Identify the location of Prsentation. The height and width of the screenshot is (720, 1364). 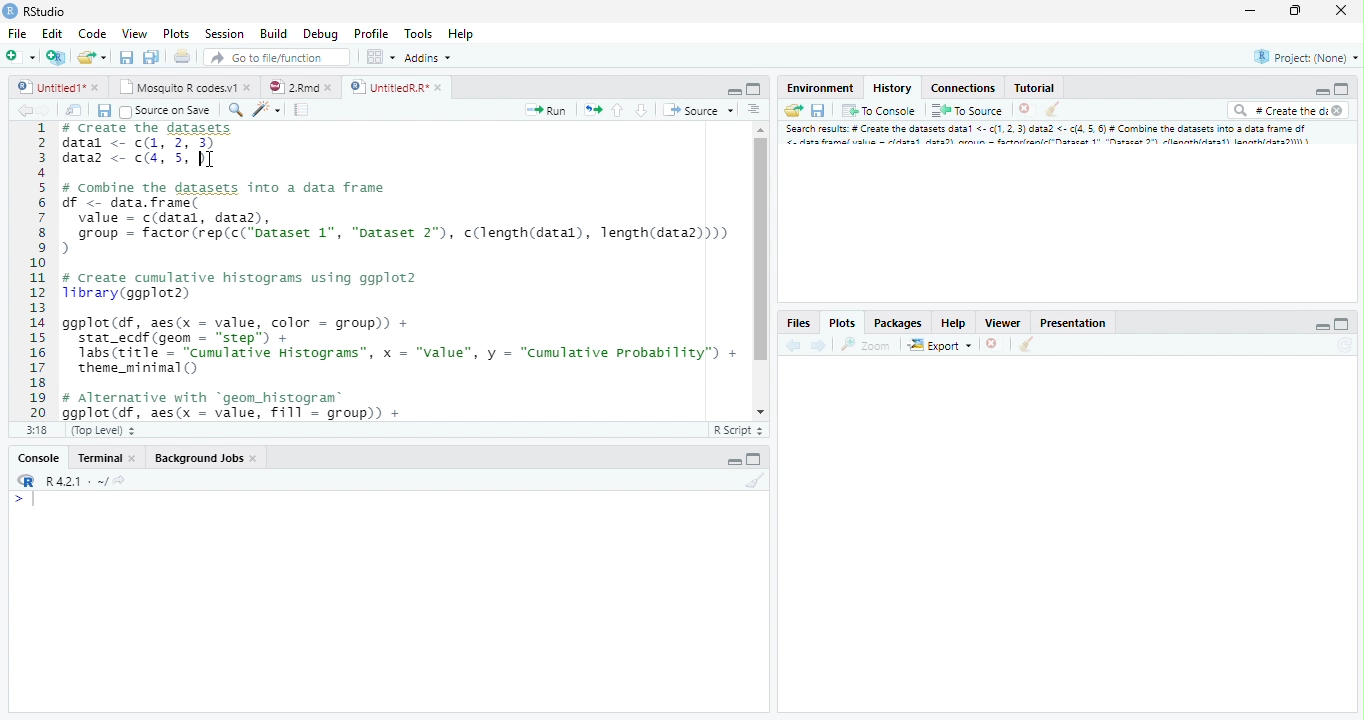
(1069, 321).